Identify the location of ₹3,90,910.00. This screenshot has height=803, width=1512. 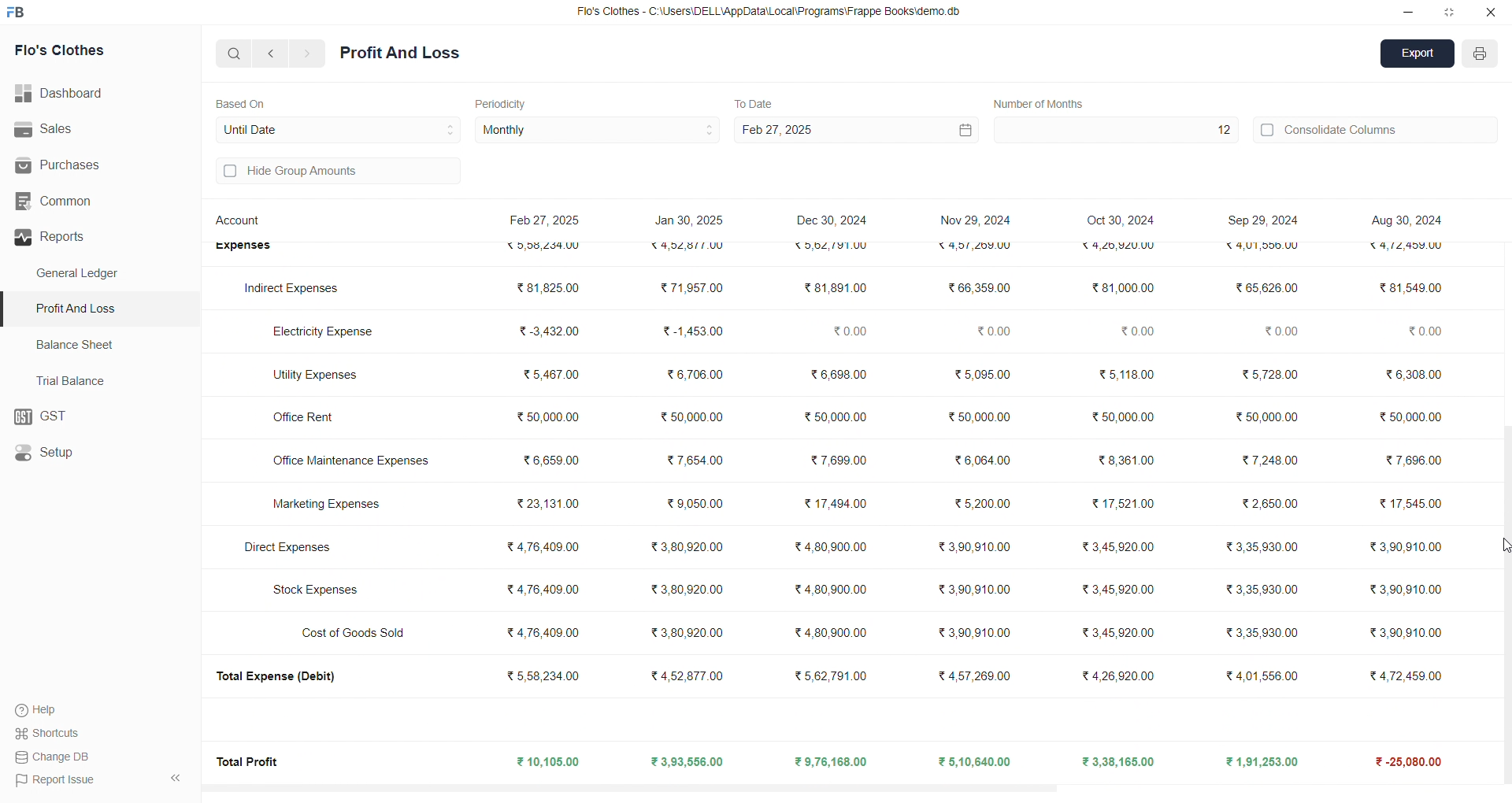
(978, 546).